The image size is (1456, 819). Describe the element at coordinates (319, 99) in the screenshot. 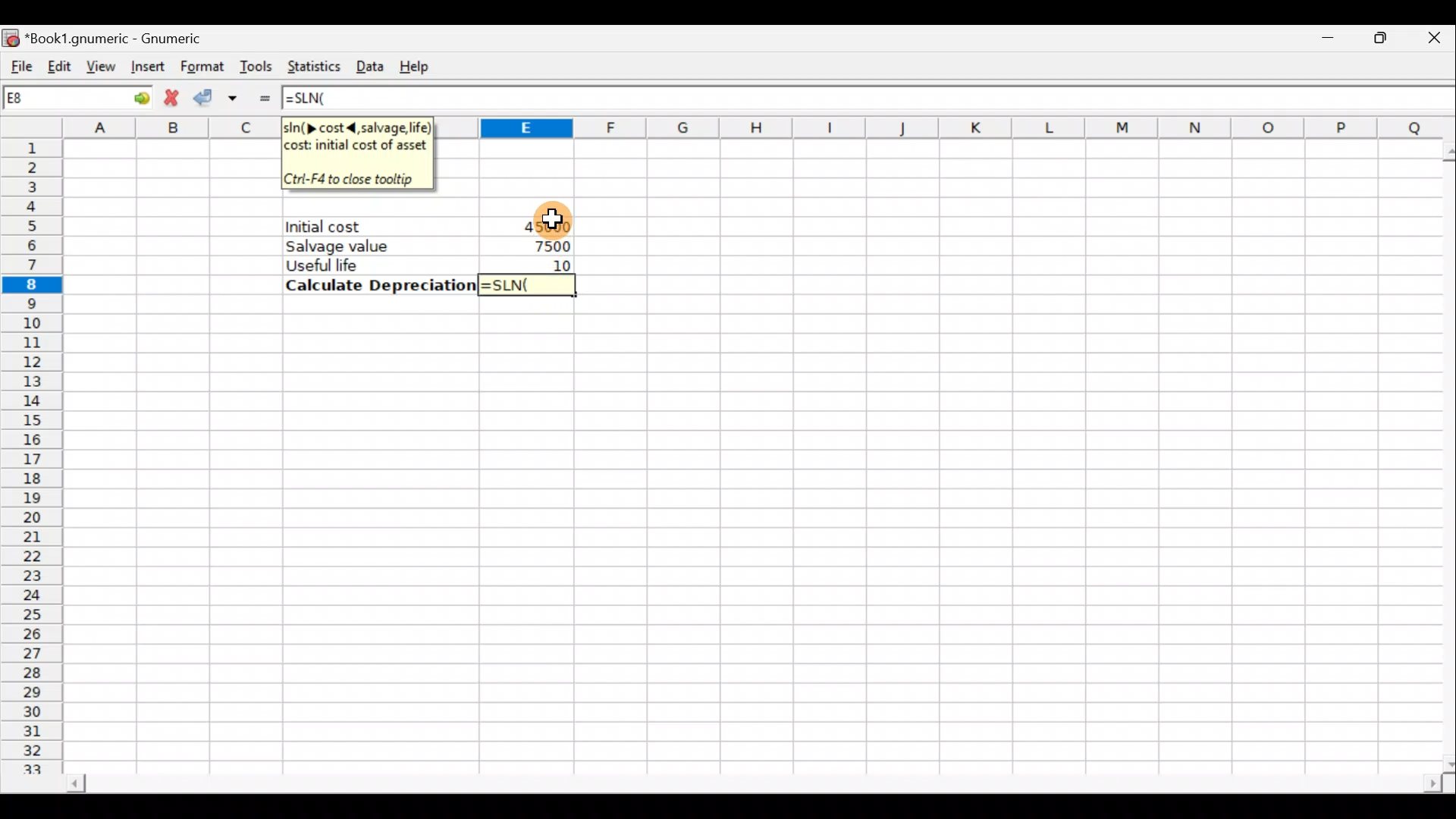

I see `=SLN(` at that location.